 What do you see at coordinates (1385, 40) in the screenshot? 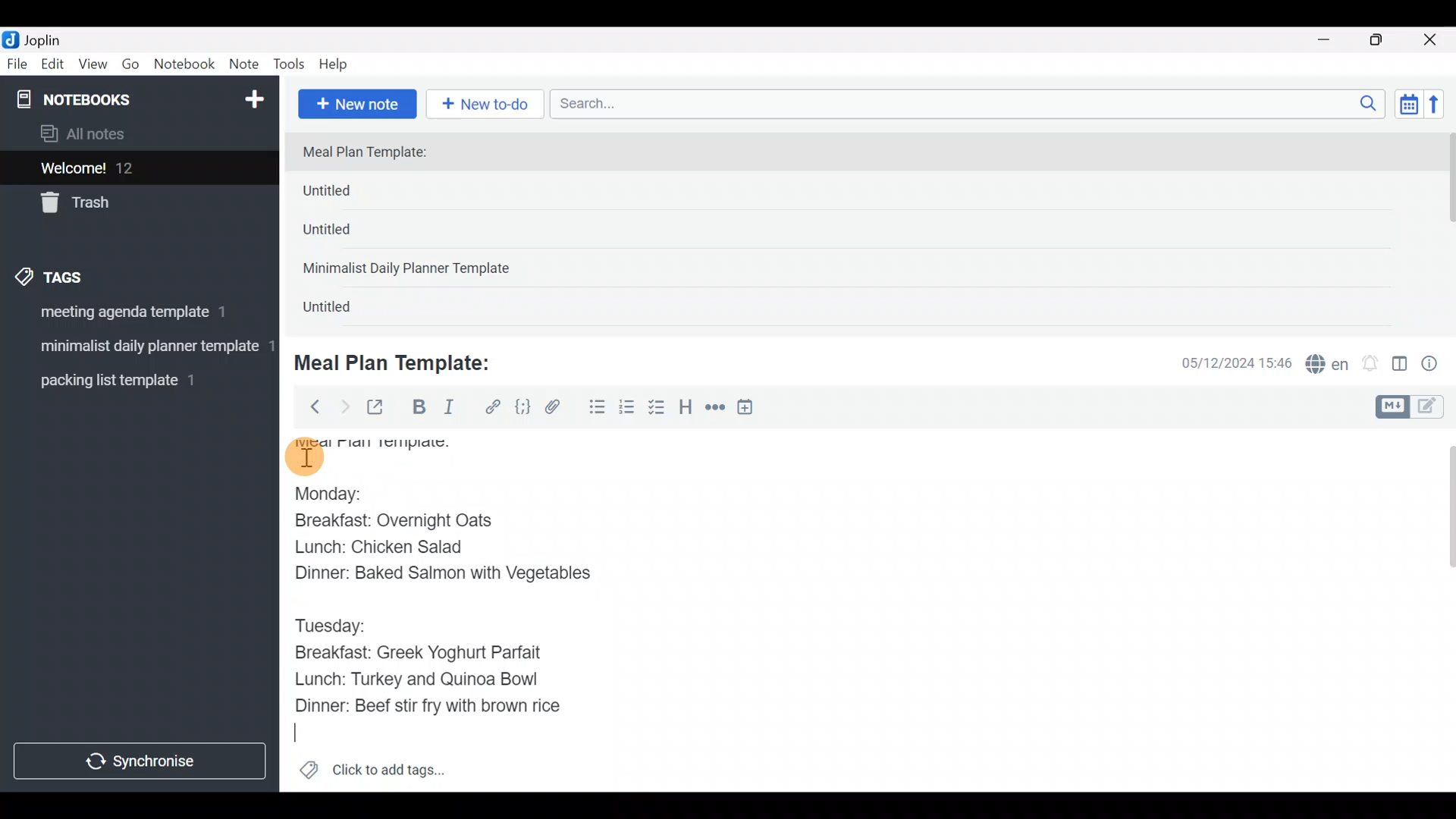
I see `Maximize` at bounding box center [1385, 40].